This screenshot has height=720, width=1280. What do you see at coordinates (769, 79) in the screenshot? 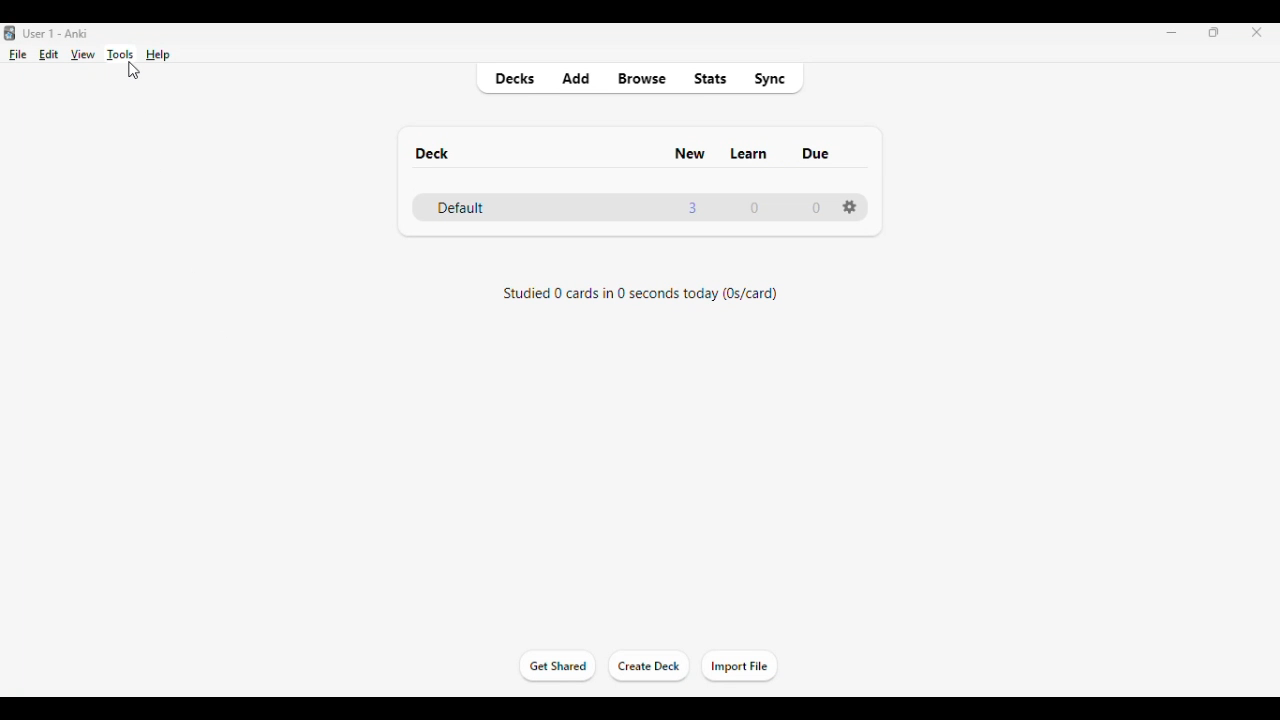
I see `sync` at bounding box center [769, 79].